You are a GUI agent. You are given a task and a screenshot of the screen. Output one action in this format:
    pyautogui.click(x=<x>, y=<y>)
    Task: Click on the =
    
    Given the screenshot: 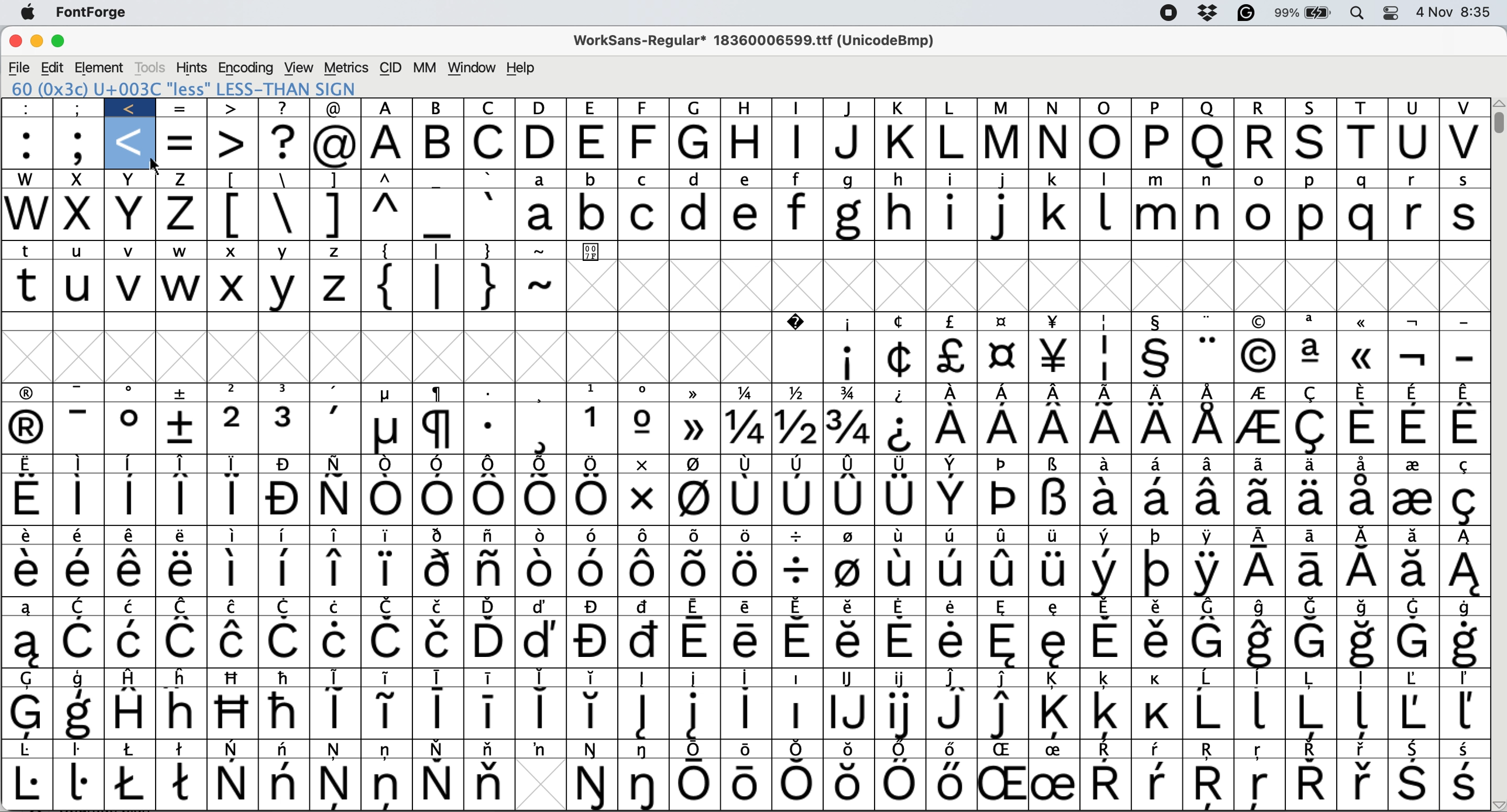 What is the action you would take?
    pyautogui.click(x=183, y=142)
    